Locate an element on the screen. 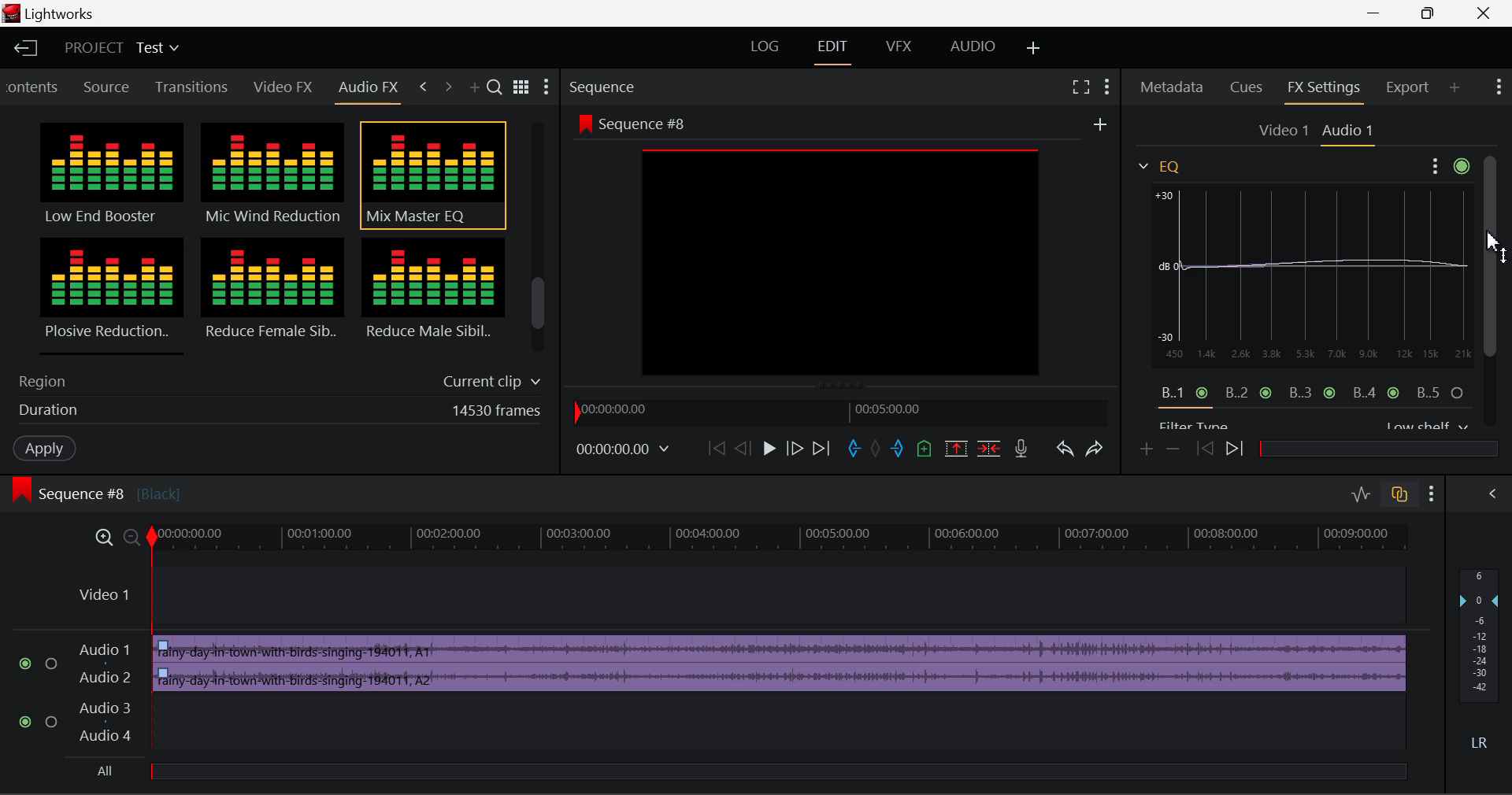 The width and height of the screenshot is (1512, 795). Show Settings is located at coordinates (1107, 87).